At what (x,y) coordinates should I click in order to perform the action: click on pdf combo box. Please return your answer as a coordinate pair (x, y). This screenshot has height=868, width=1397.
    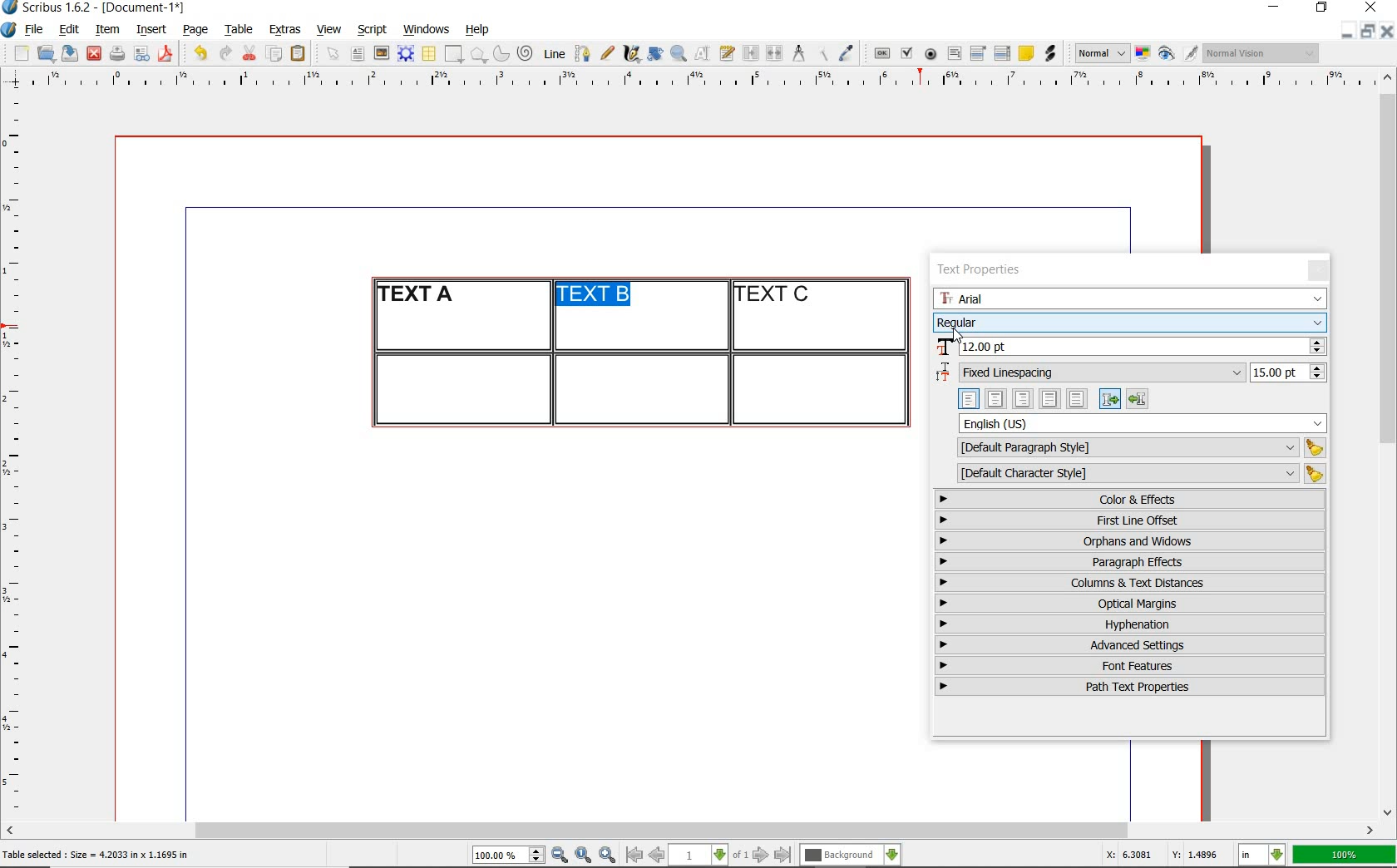
    Looking at the image, I should click on (979, 52).